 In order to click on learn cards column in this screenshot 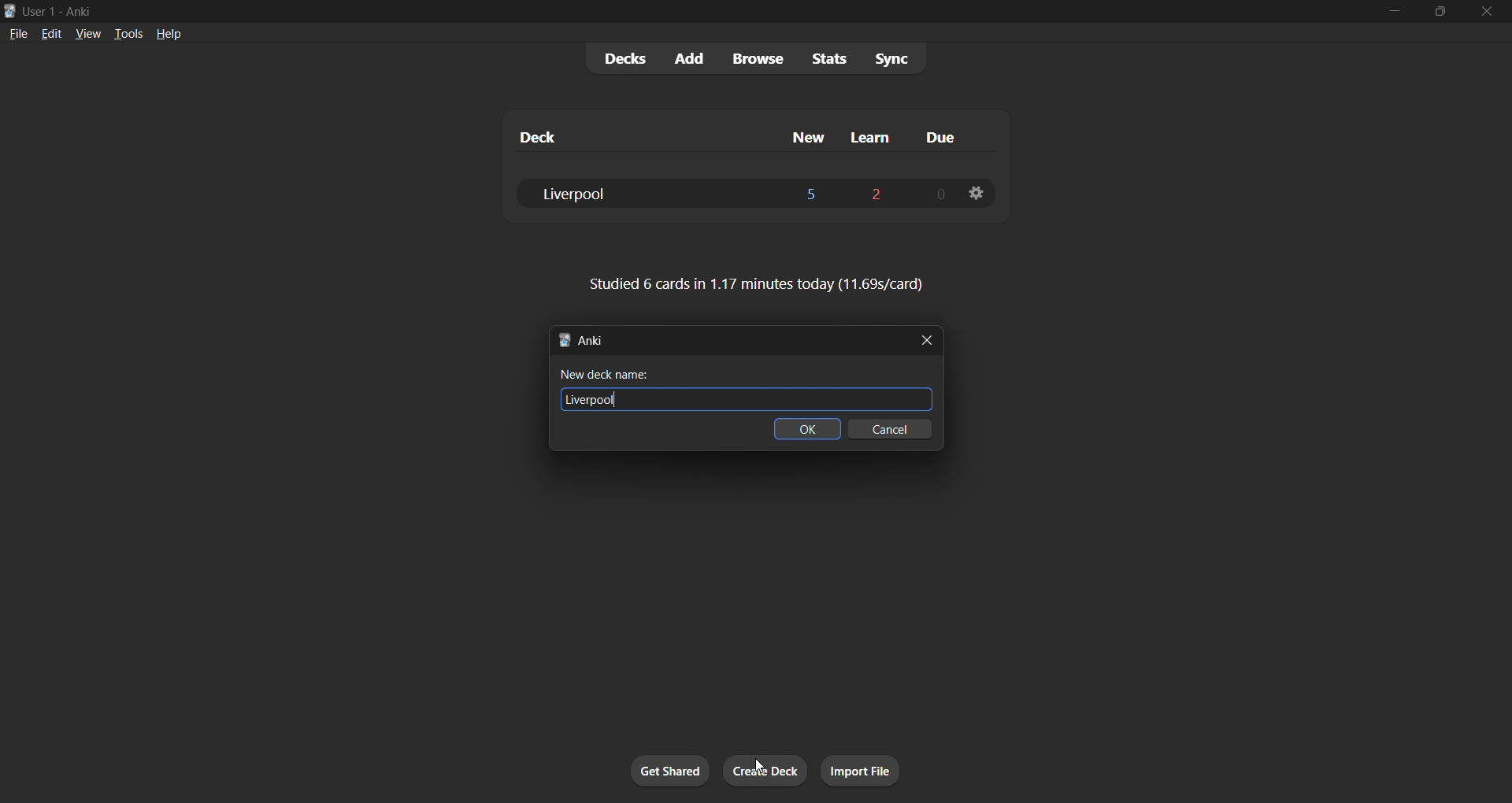, I will do `click(880, 139)`.